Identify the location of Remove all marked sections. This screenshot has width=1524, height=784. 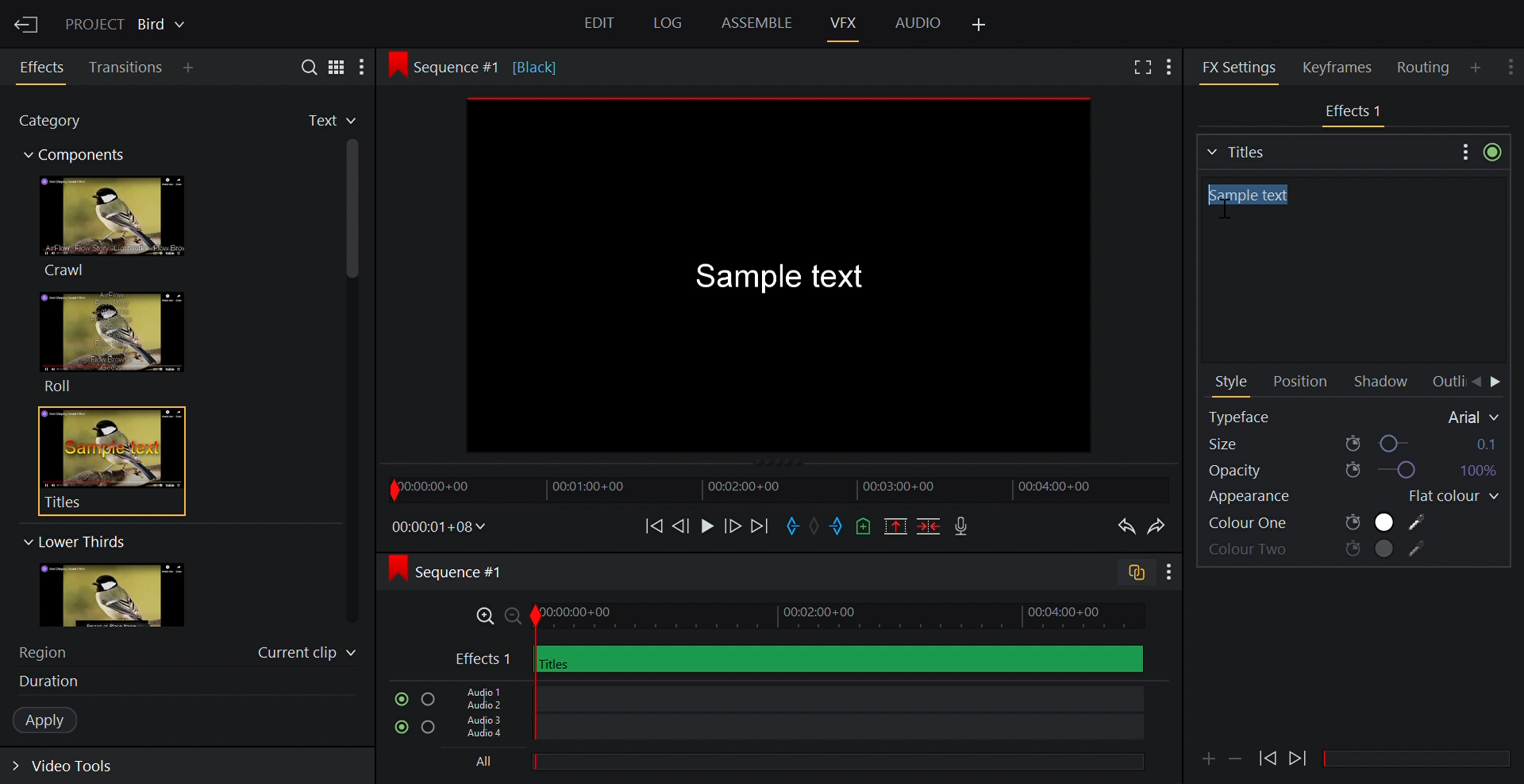
(897, 528).